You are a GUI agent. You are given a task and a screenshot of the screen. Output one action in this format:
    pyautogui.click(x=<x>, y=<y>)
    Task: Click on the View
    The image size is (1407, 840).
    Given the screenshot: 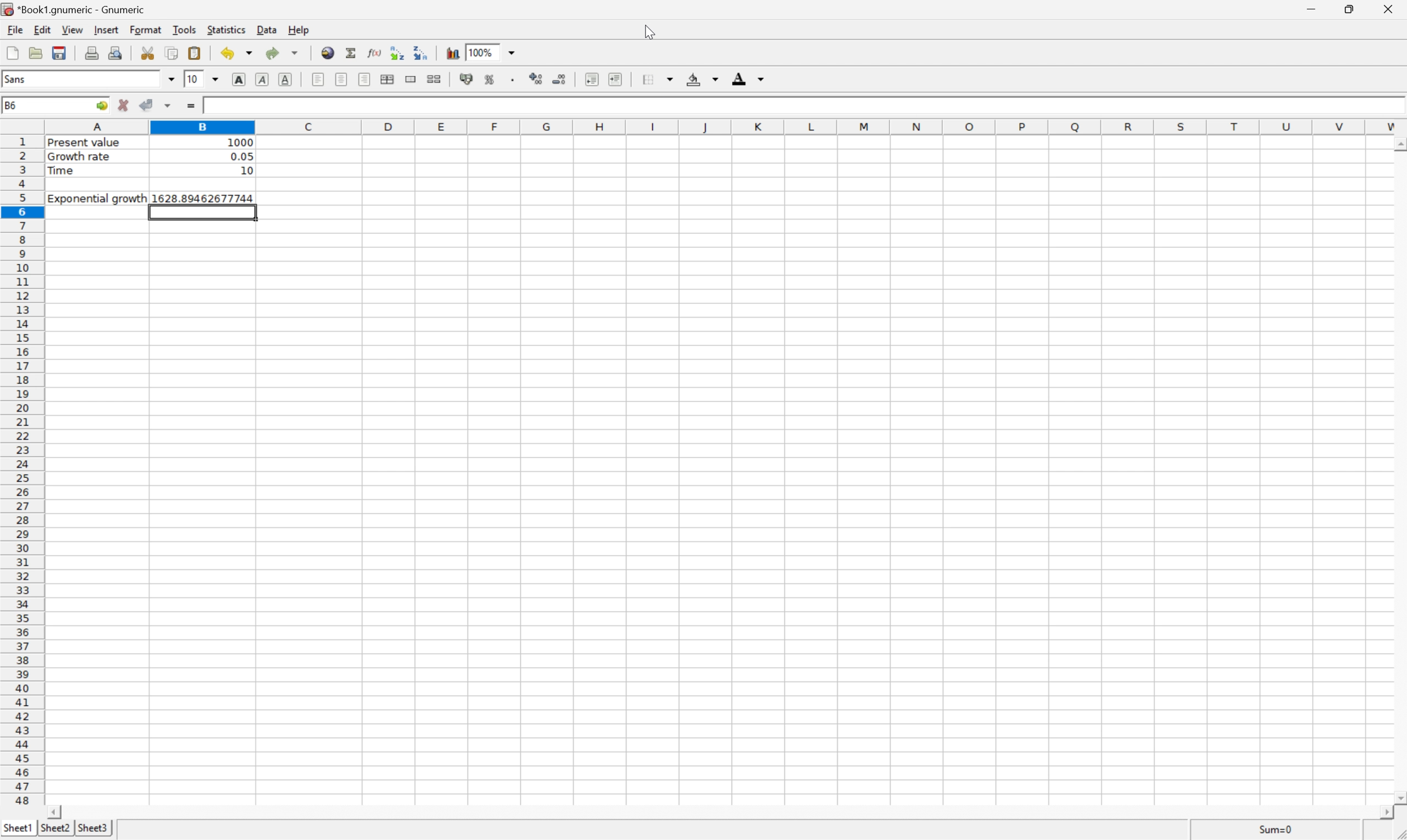 What is the action you would take?
    pyautogui.click(x=73, y=29)
    